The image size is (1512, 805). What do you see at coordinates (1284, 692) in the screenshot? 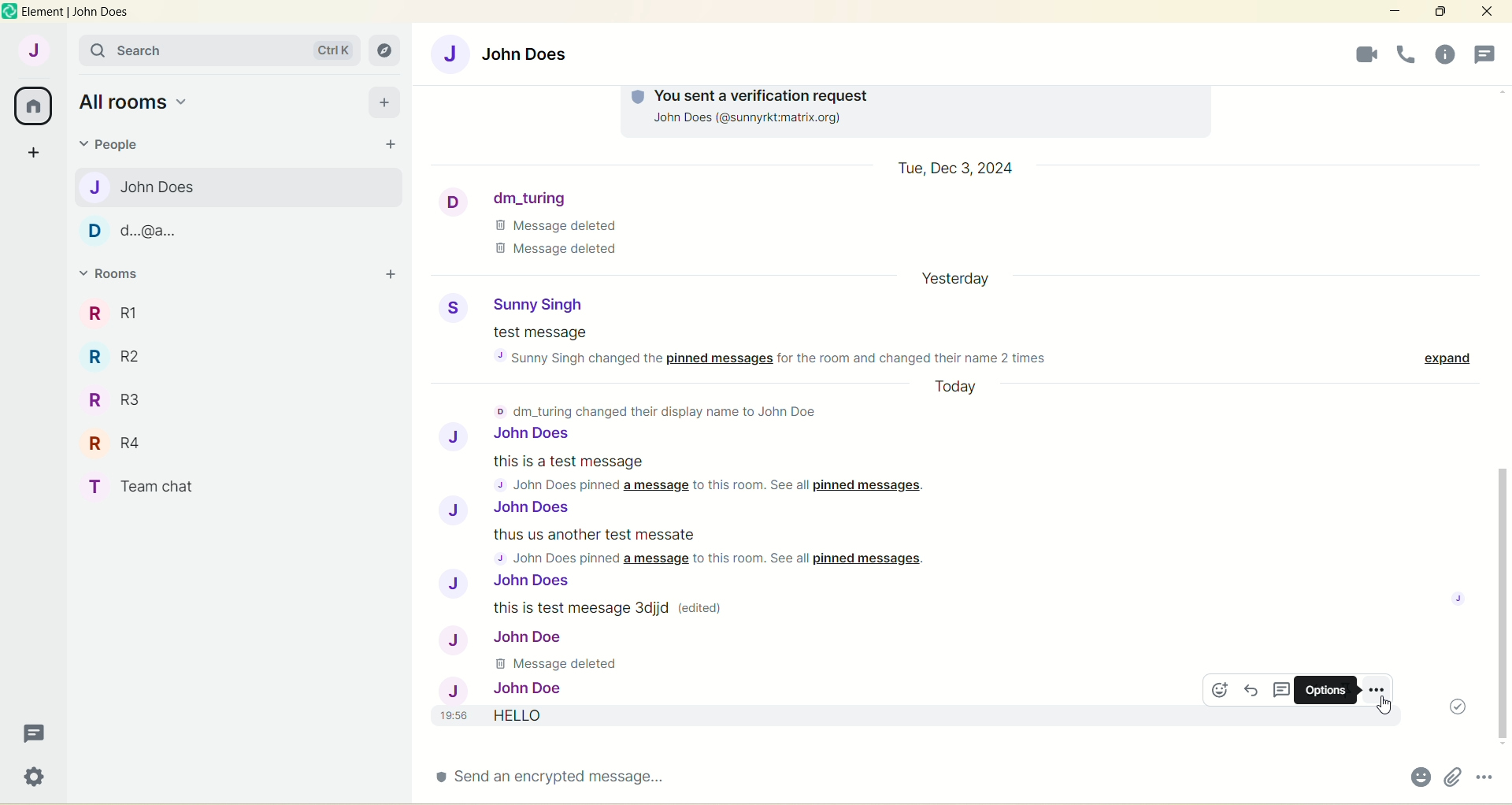
I see `threads` at bounding box center [1284, 692].